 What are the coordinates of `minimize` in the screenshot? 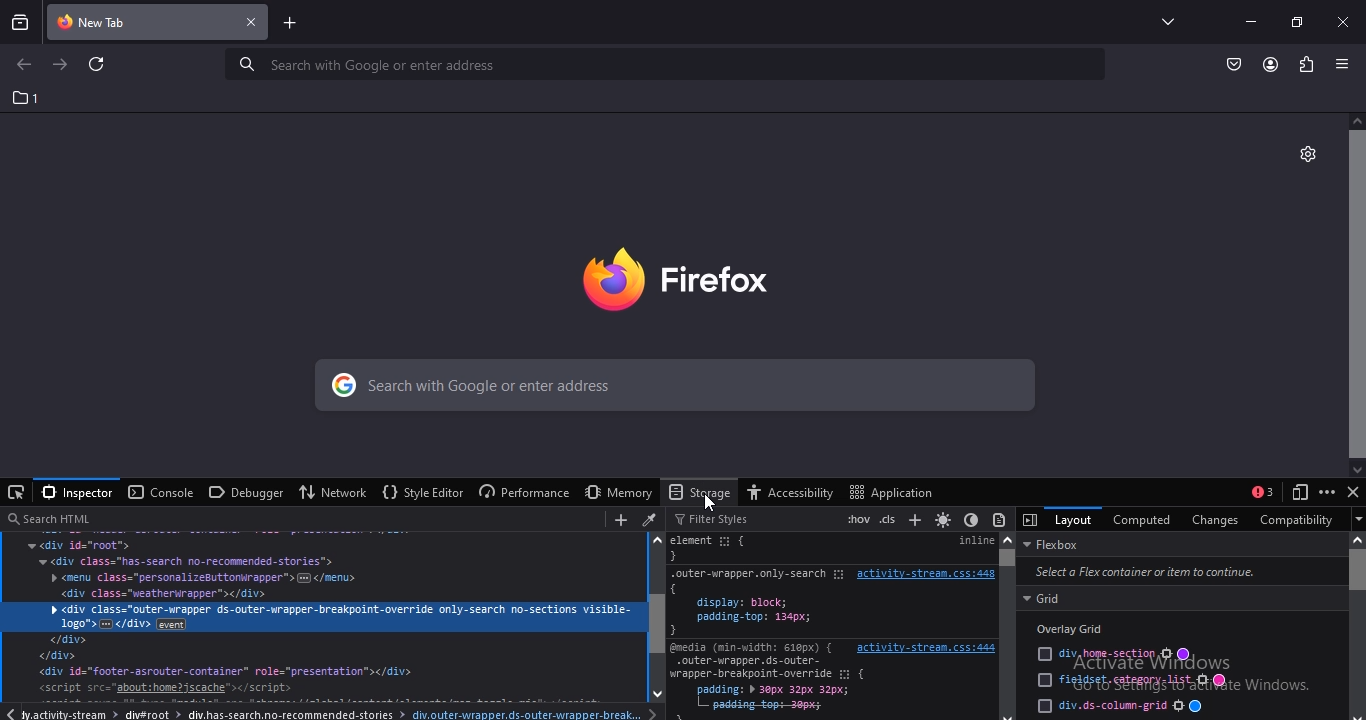 It's located at (1250, 21).